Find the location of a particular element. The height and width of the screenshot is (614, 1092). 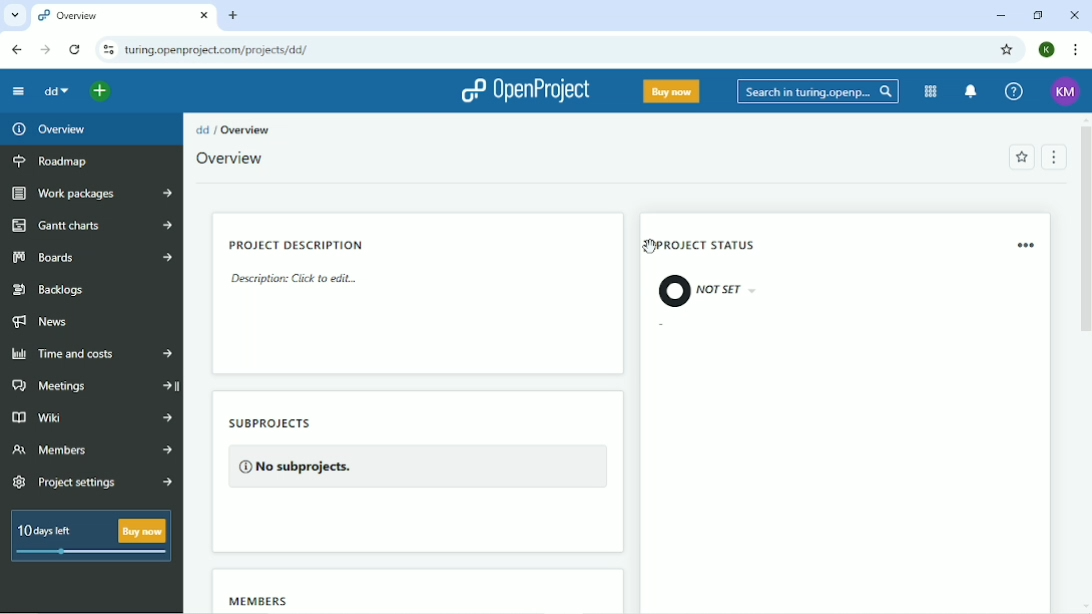

Members is located at coordinates (259, 600).